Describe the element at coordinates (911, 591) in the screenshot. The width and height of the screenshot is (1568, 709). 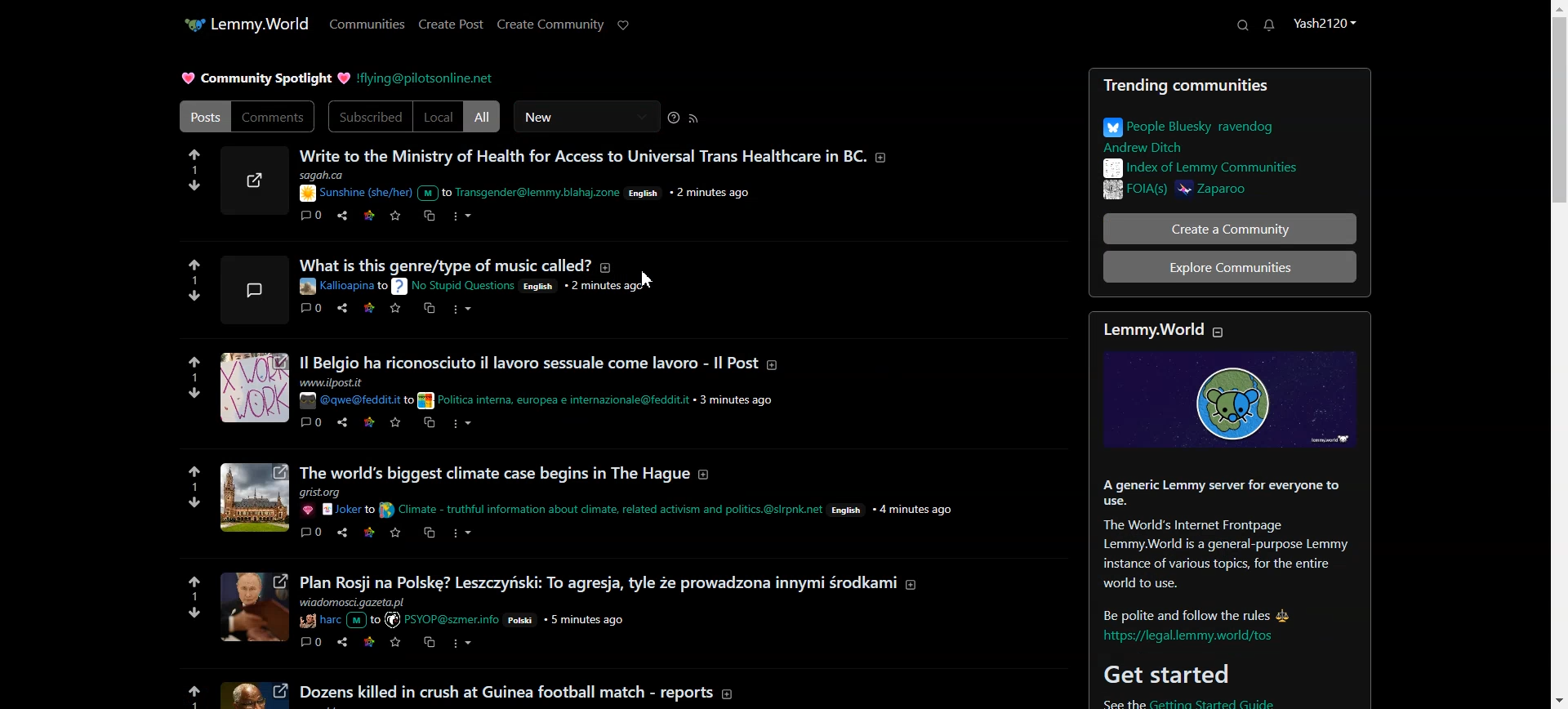
I see `about` at that location.